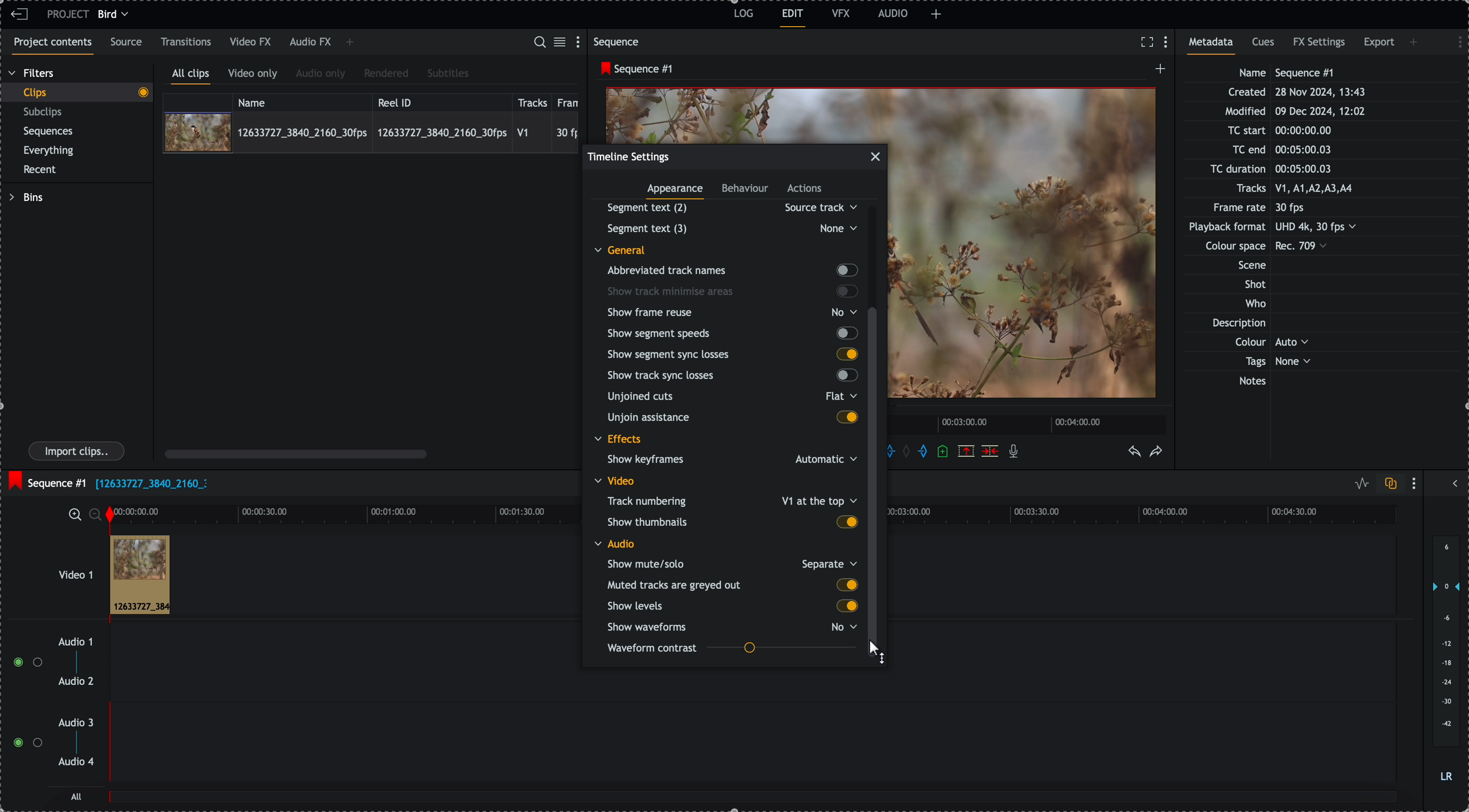  What do you see at coordinates (47, 152) in the screenshot?
I see `` at bounding box center [47, 152].